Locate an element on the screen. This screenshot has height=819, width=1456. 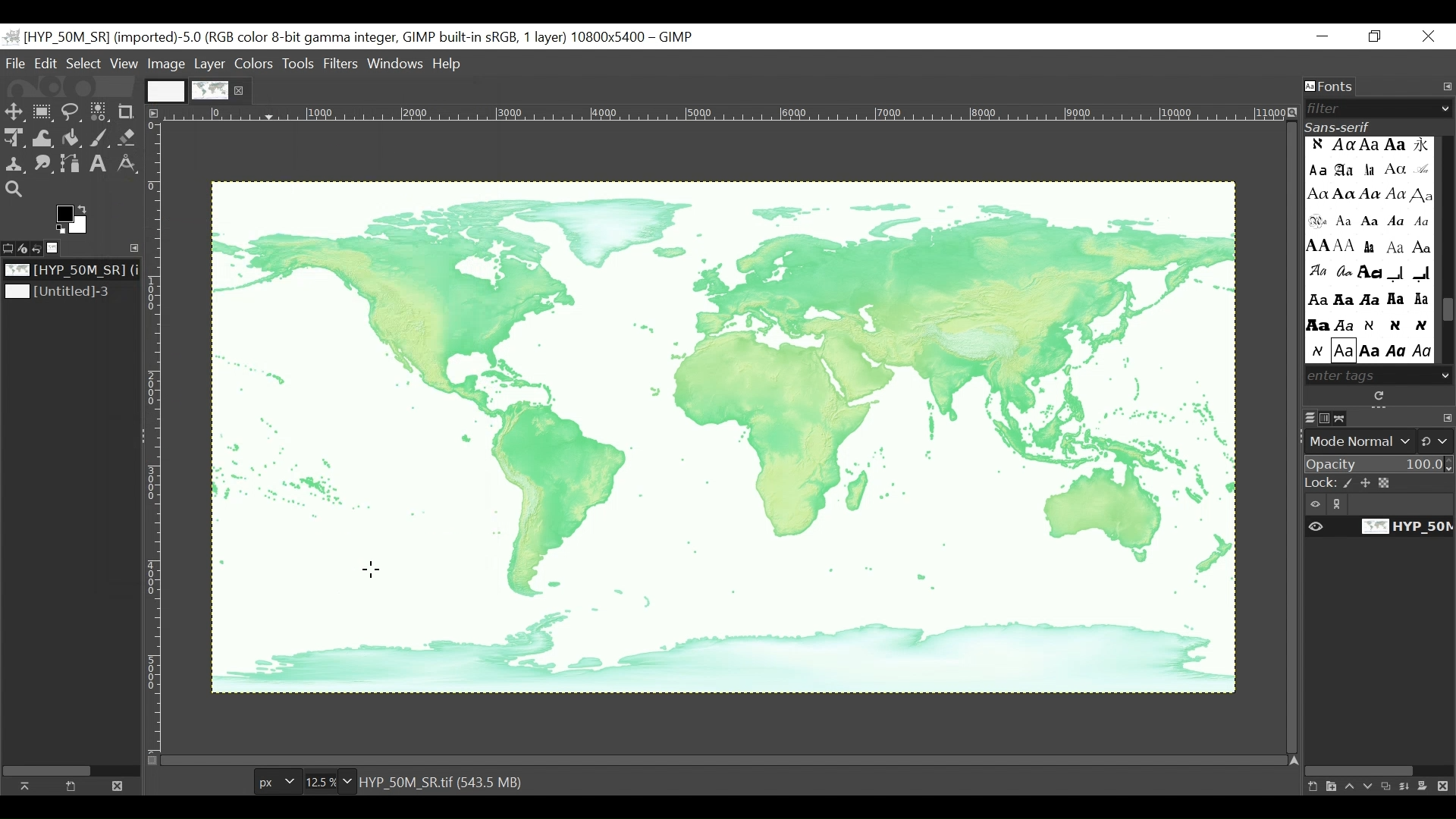
Rectangle Select tool is located at coordinates (43, 113).